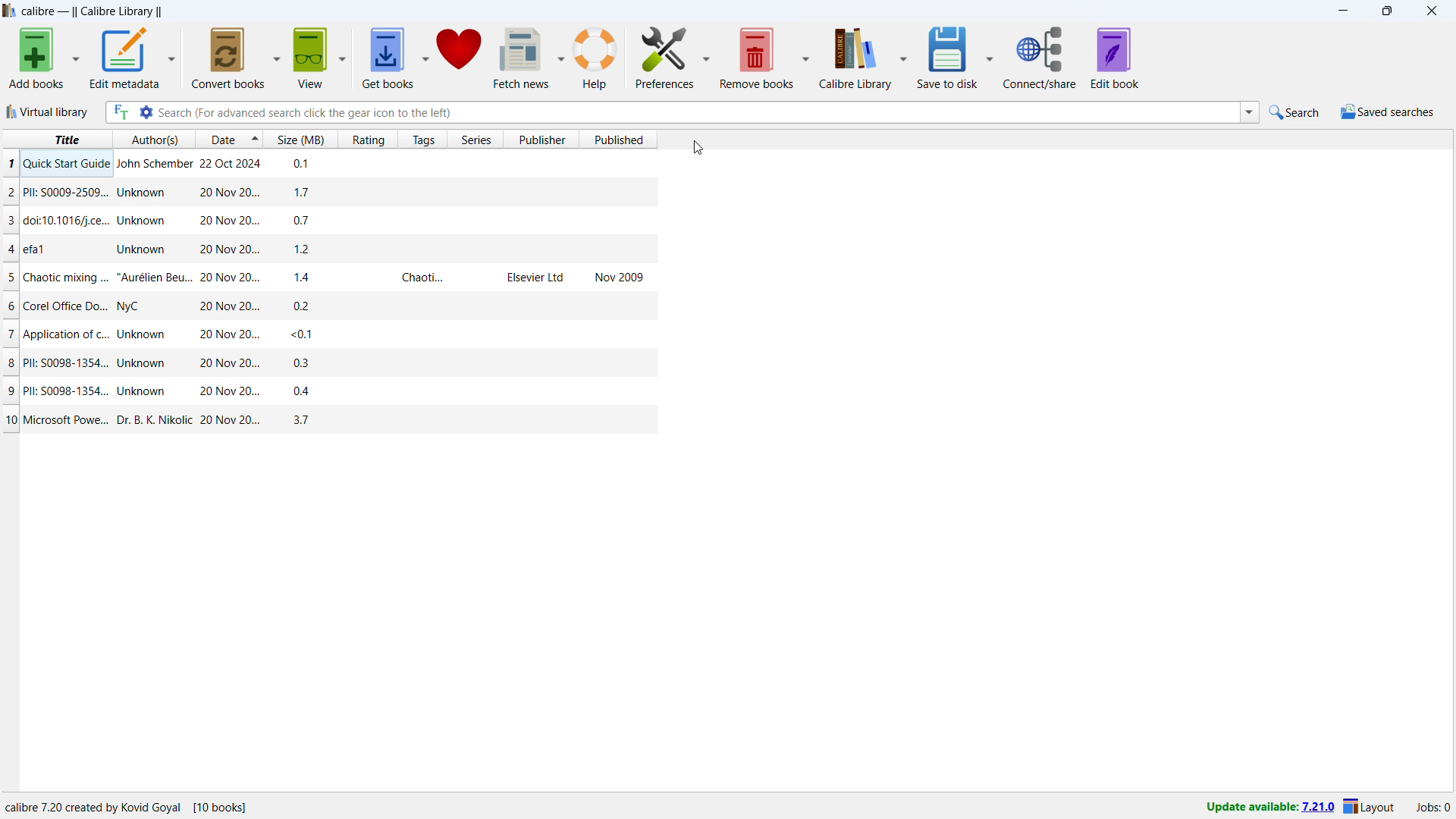 The width and height of the screenshot is (1456, 819). I want to click on full text search, so click(121, 112).